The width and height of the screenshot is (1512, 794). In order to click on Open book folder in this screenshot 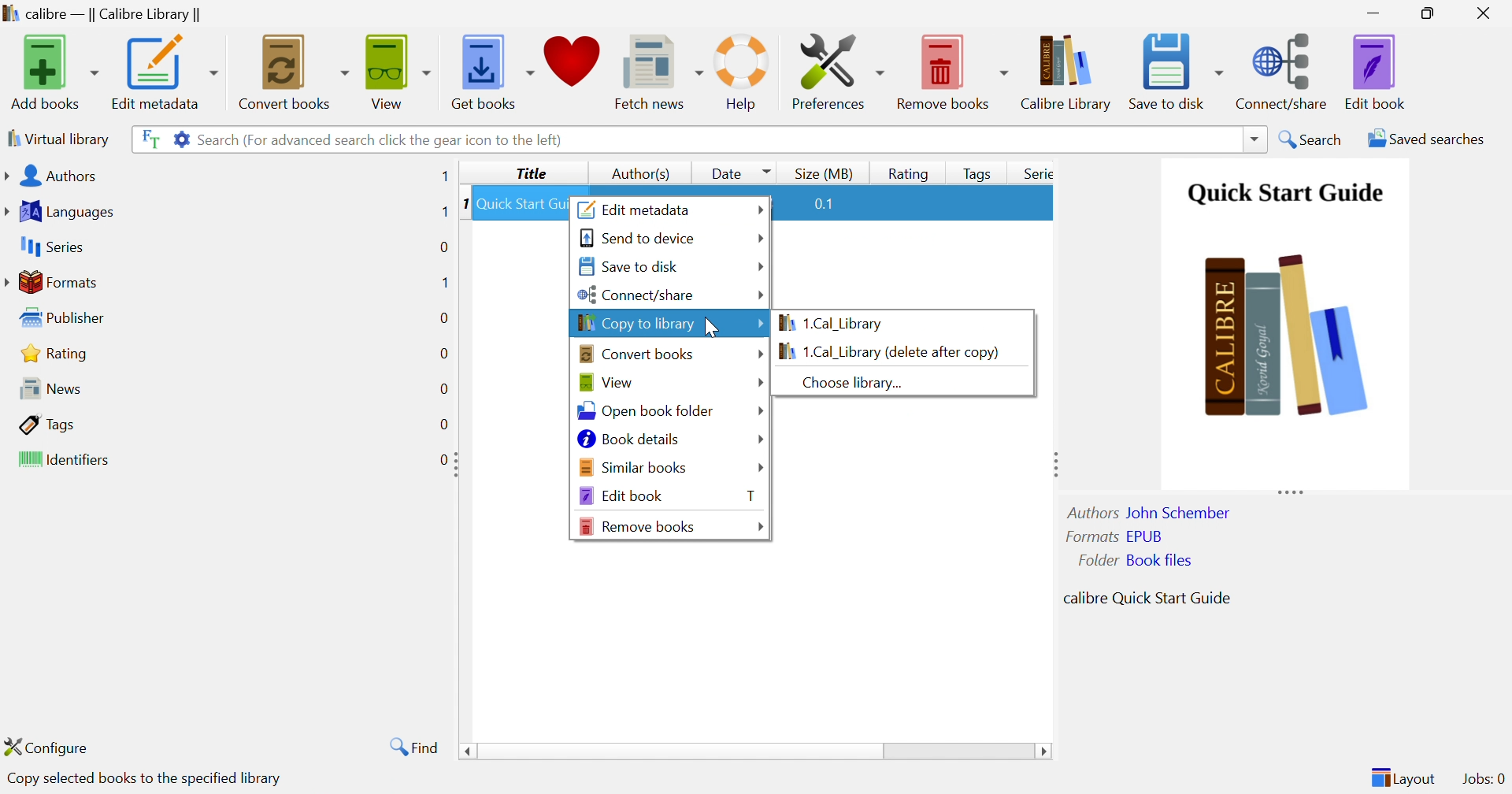, I will do `click(645, 410)`.